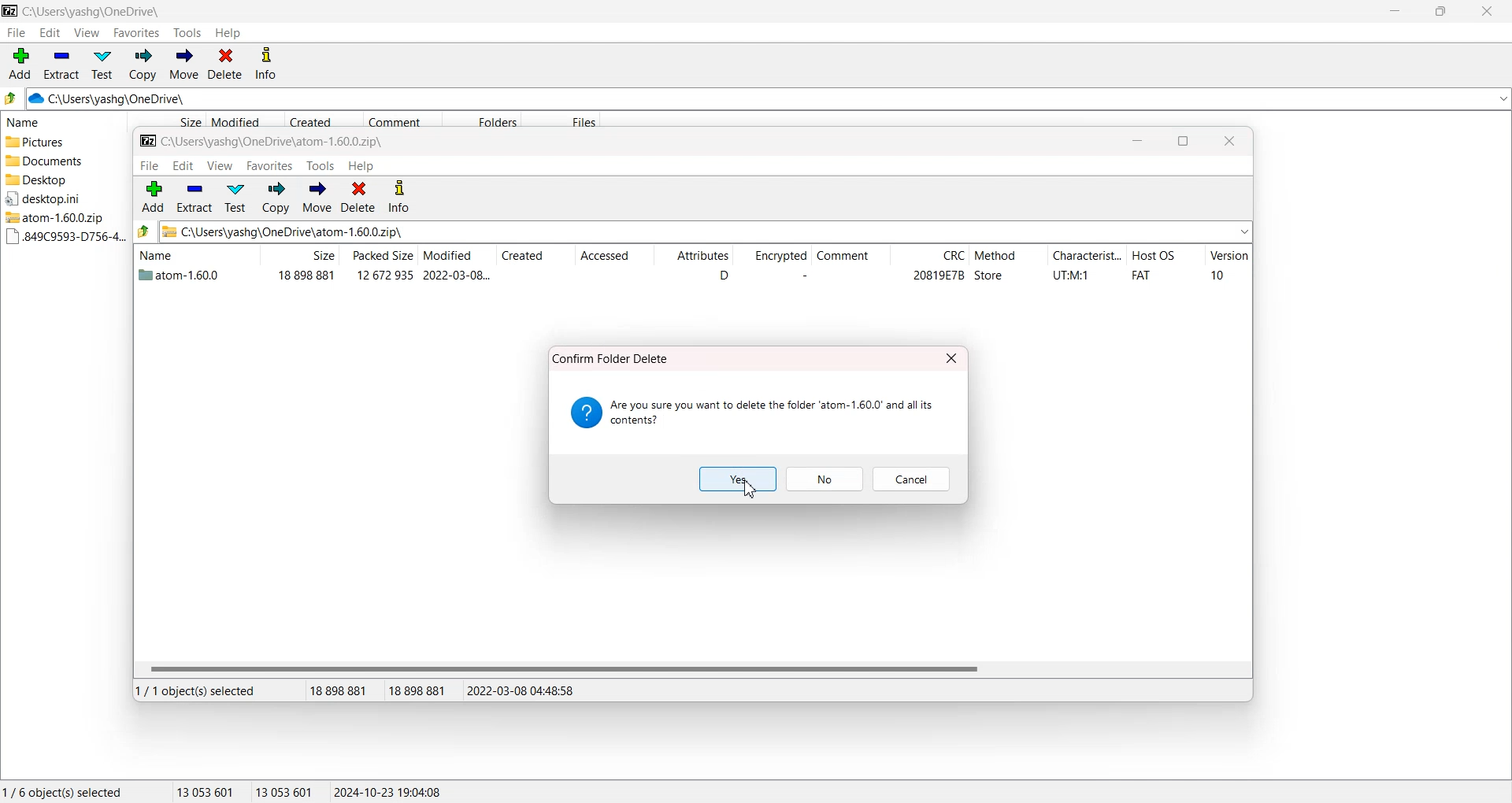 This screenshot has width=1512, height=803. I want to click on Extract, so click(61, 64).